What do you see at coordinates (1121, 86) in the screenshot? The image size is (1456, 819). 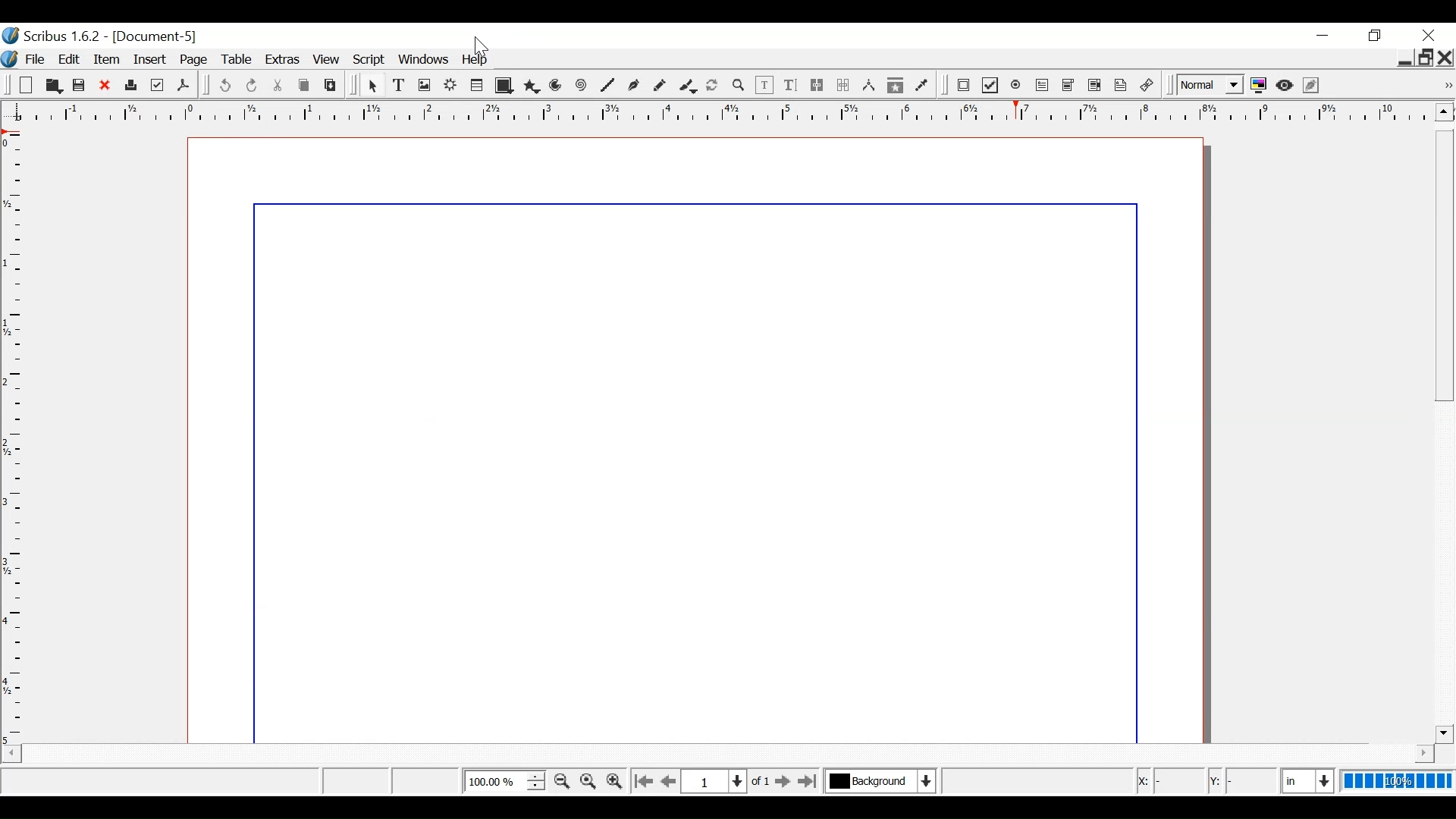 I see `Text Annotation` at bounding box center [1121, 86].